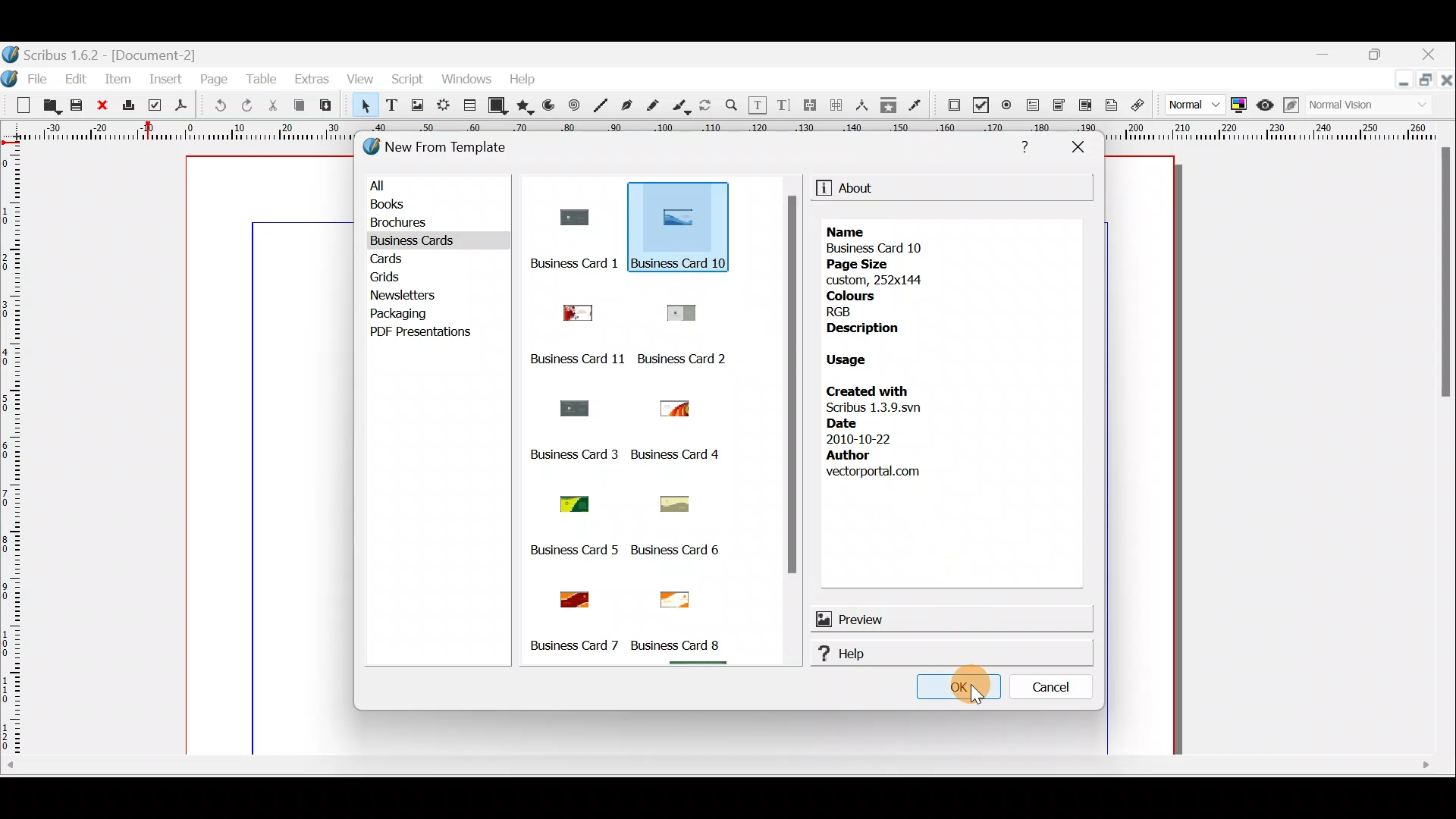 This screenshot has width=1456, height=819. What do you see at coordinates (574, 595) in the screenshot?
I see `Business card image` at bounding box center [574, 595].